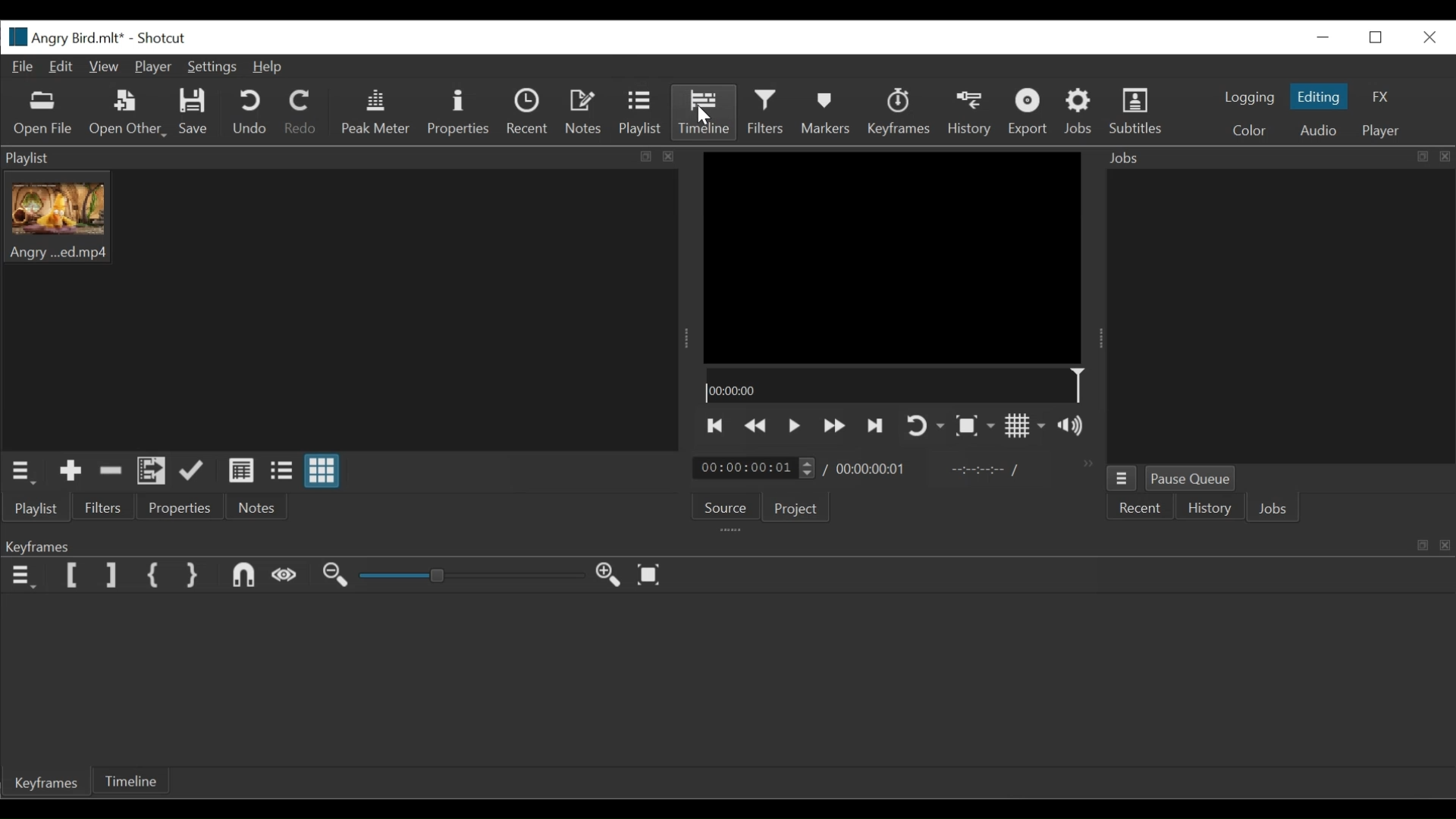 The image size is (1456, 819). I want to click on File name, so click(64, 37).